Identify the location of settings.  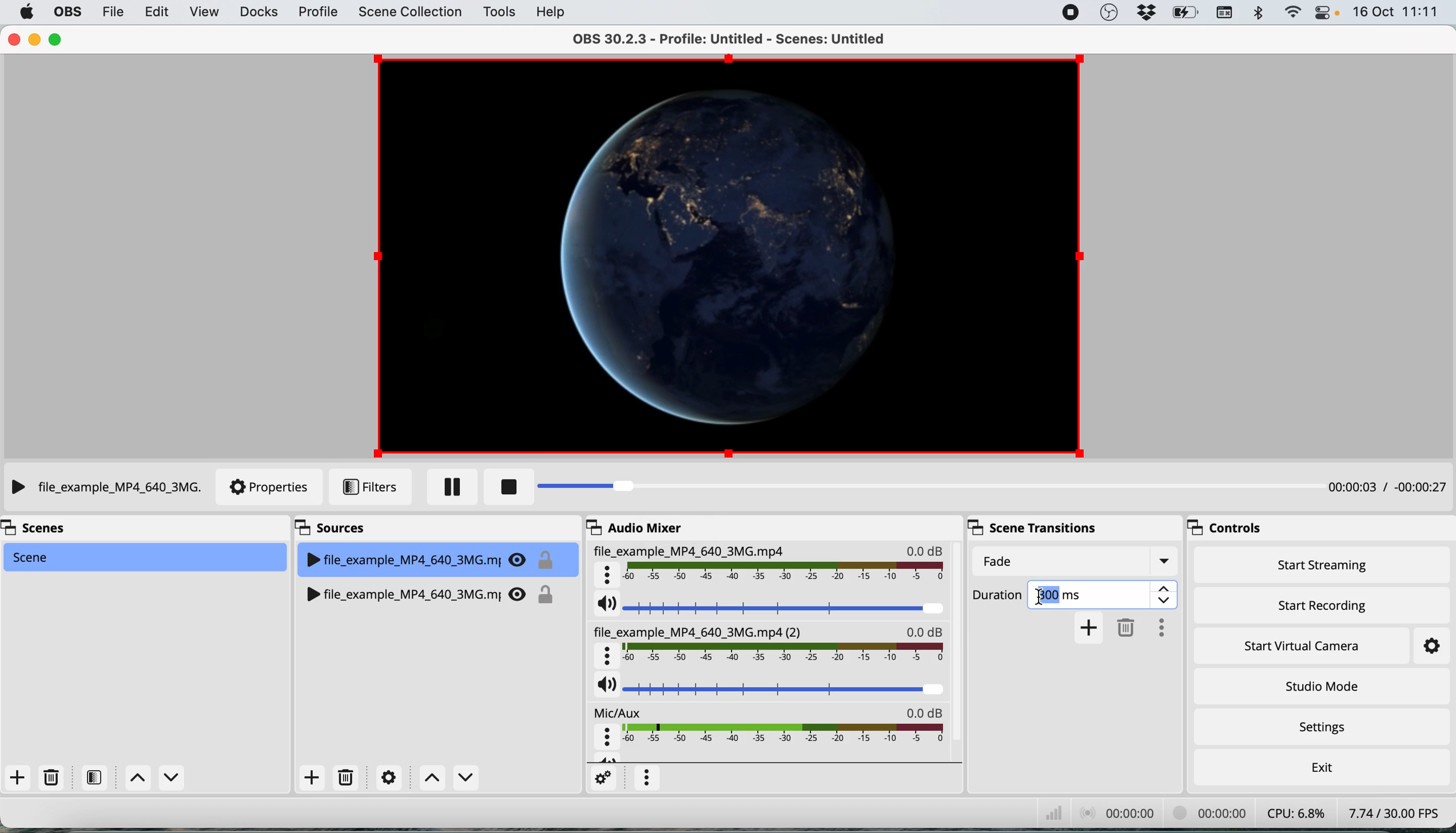
(385, 778).